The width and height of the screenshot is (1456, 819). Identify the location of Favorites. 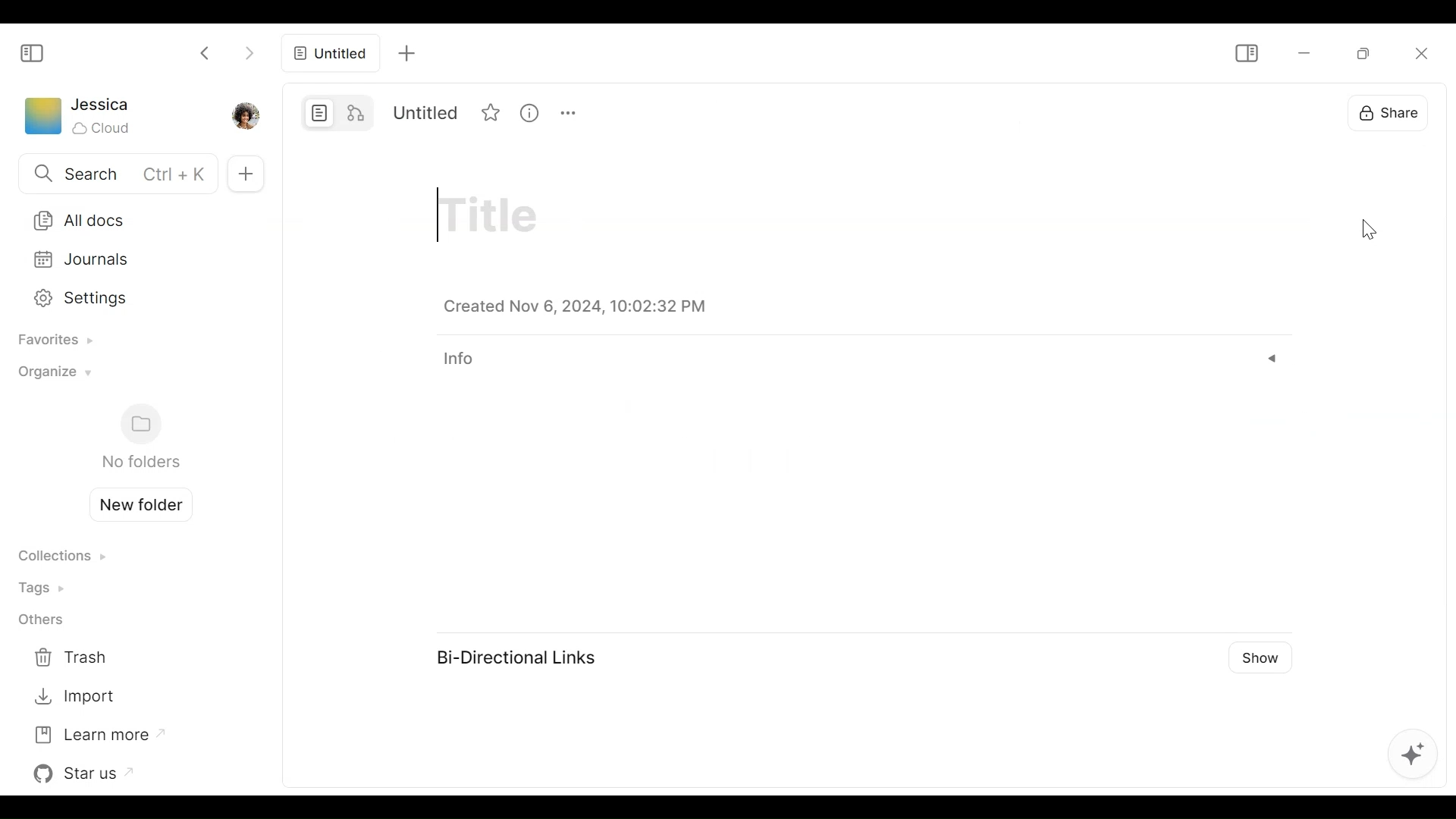
(50, 341).